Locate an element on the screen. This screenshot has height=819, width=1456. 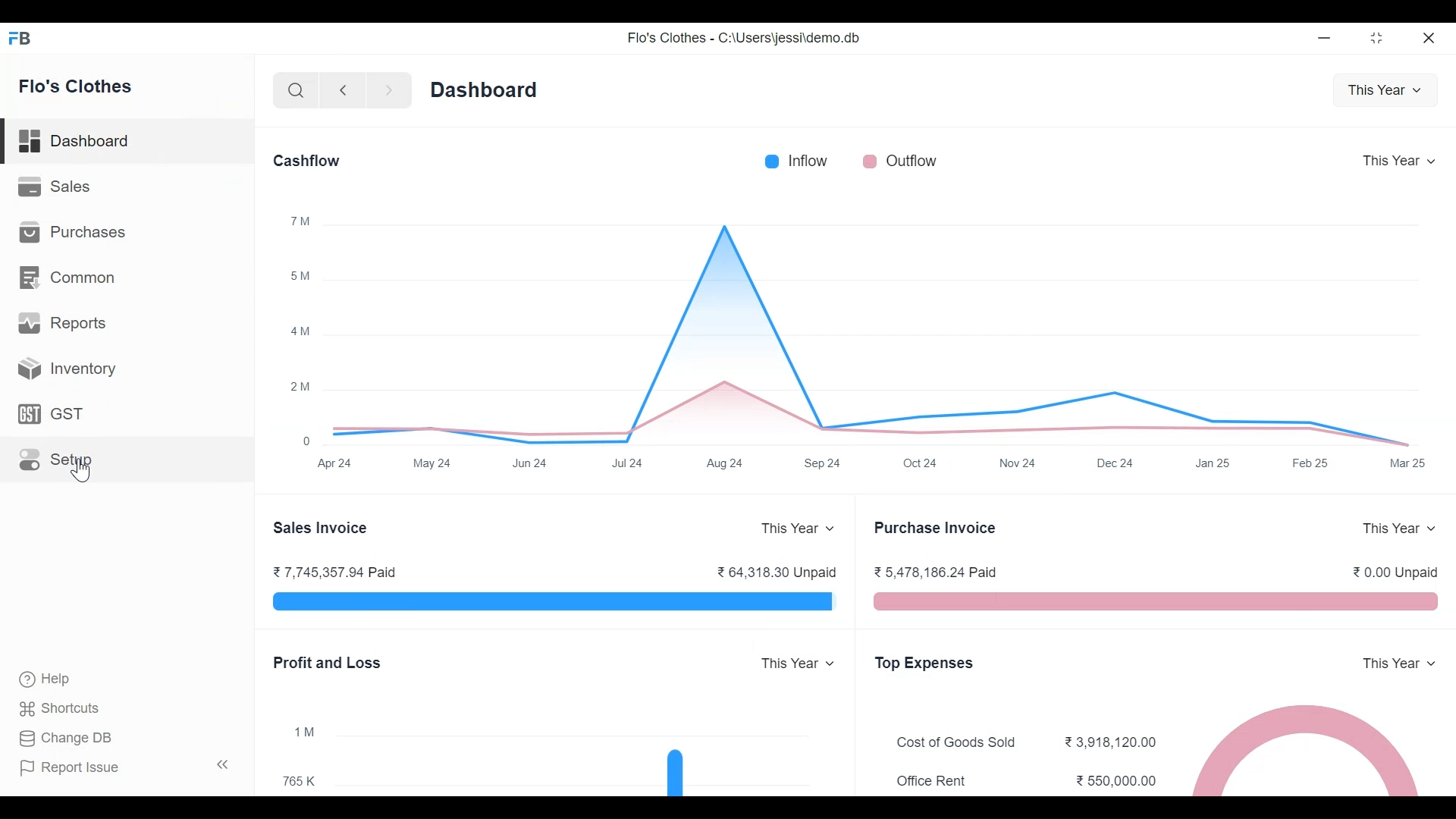
Outflow is located at coordinates (905, 165).